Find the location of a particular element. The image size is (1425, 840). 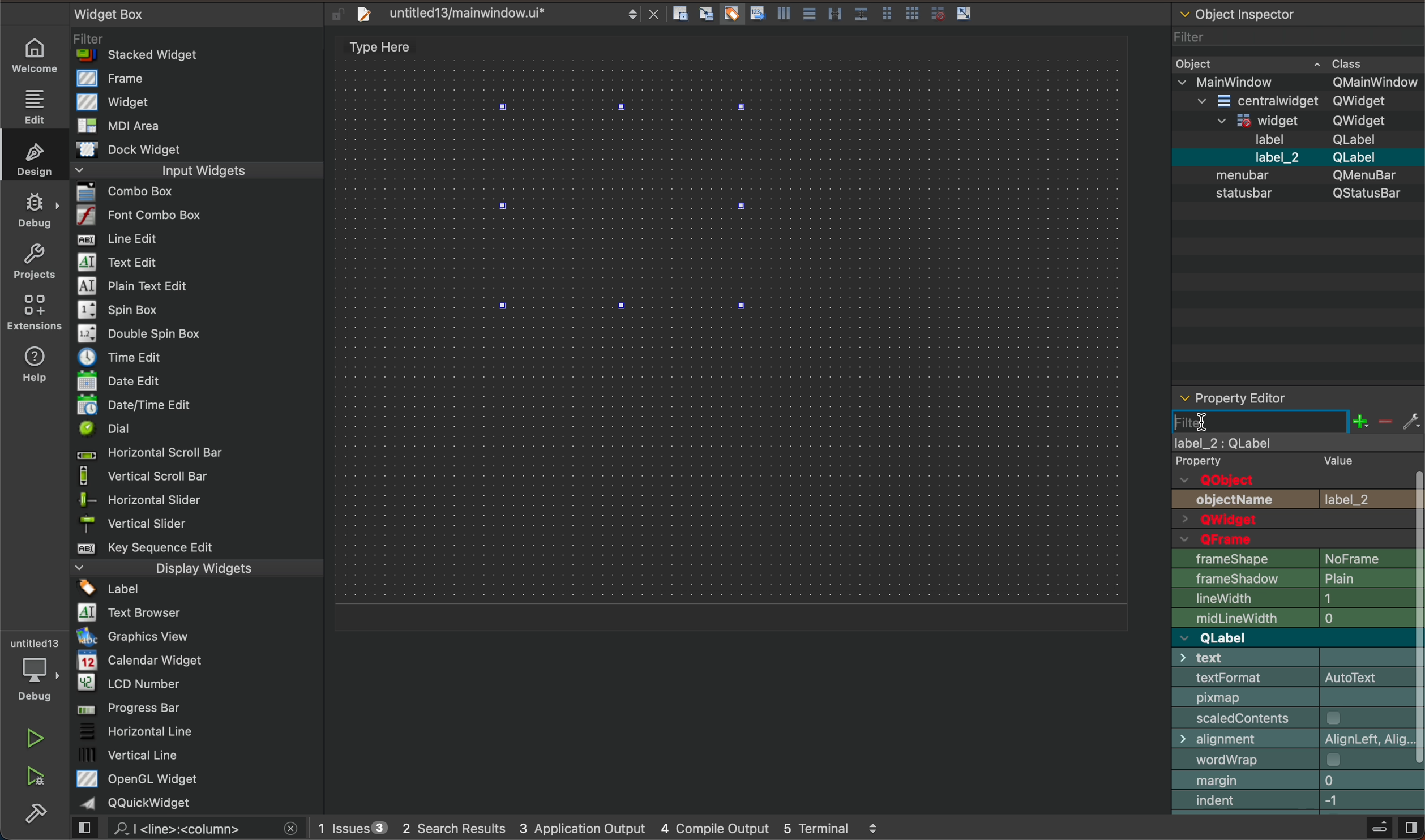

run is located at coordinates (34, 736).